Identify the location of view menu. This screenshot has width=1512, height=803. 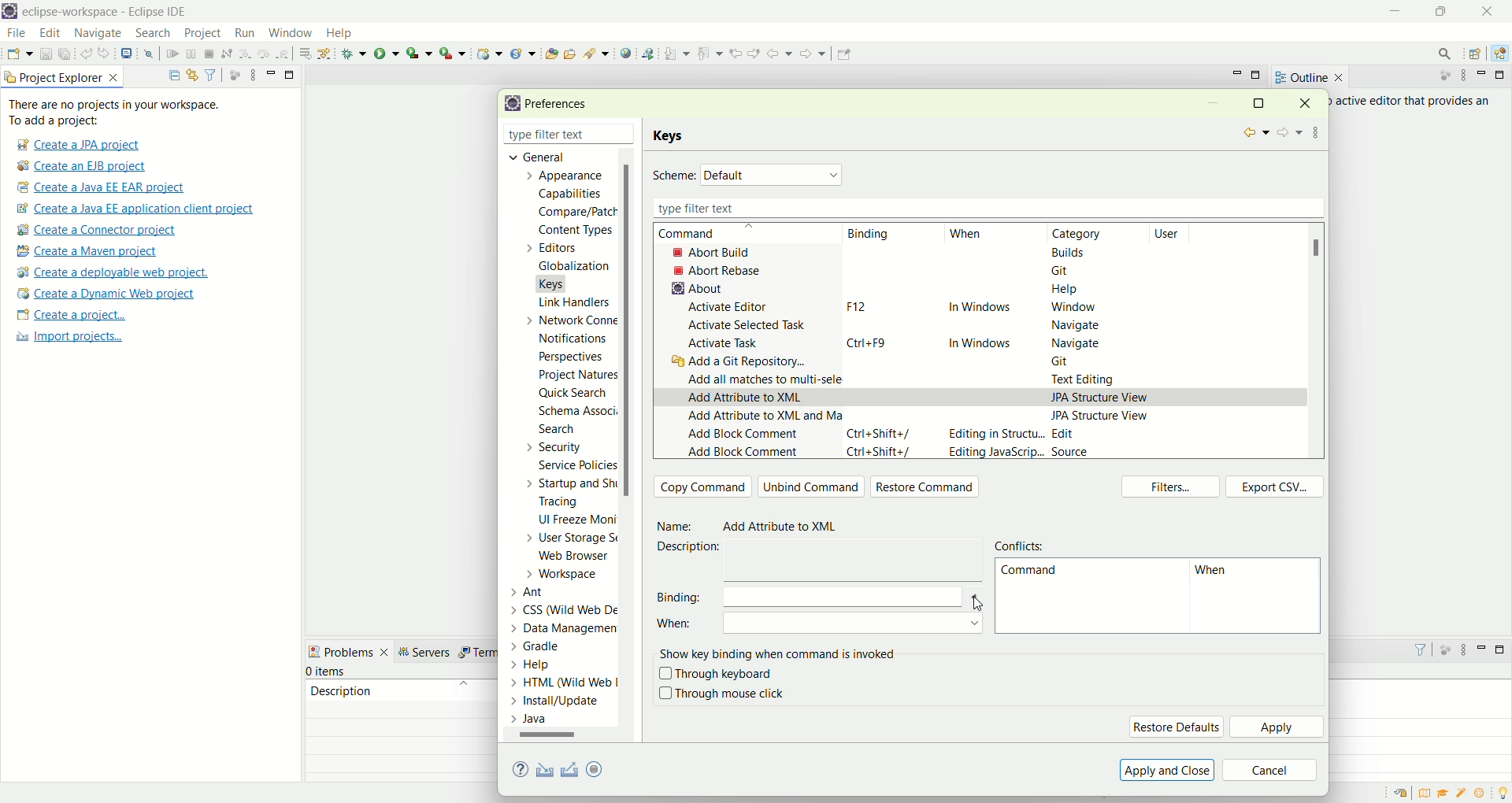
(1462, 76).